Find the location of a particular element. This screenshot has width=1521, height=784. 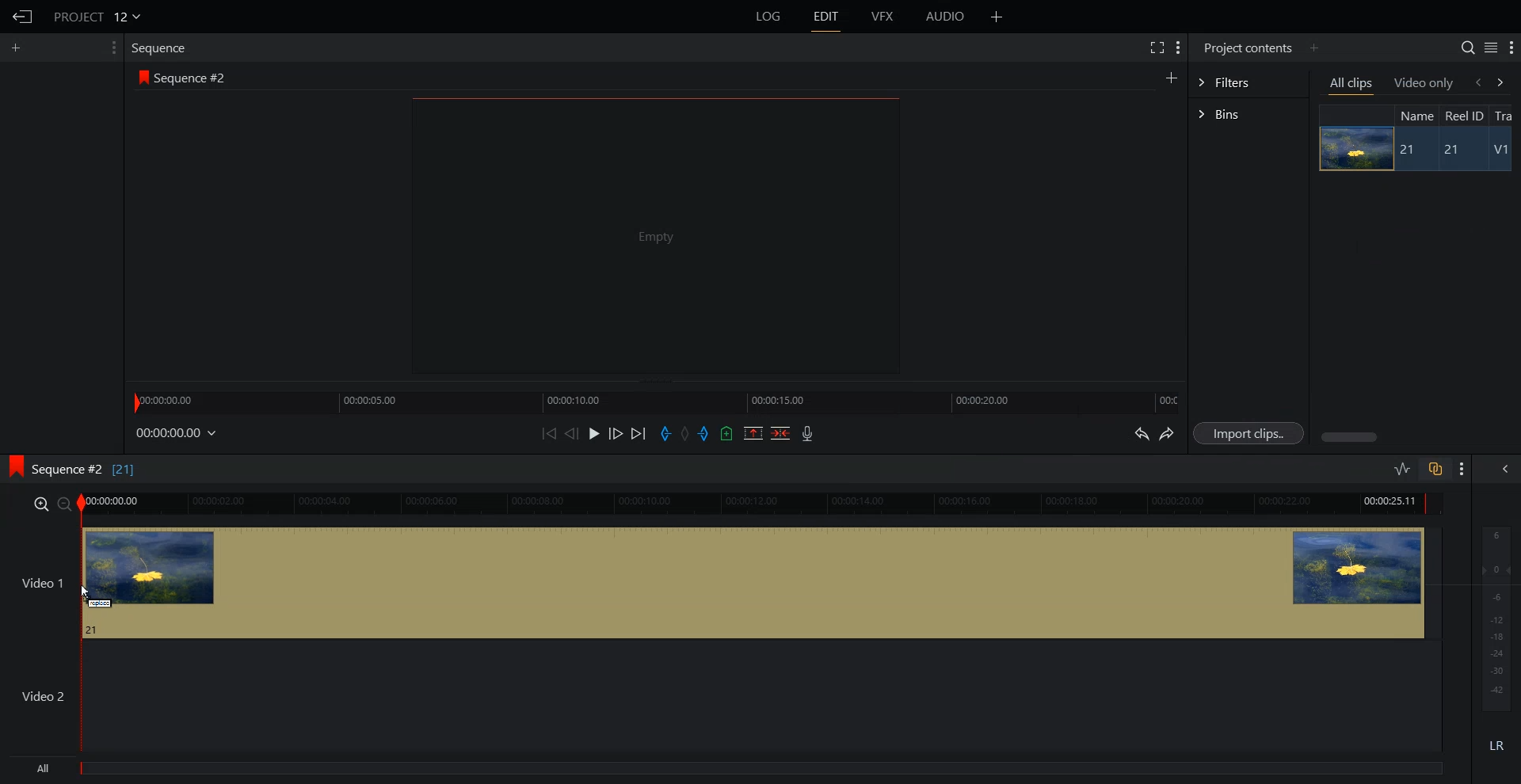

logo is located at coordinates (13, 468).